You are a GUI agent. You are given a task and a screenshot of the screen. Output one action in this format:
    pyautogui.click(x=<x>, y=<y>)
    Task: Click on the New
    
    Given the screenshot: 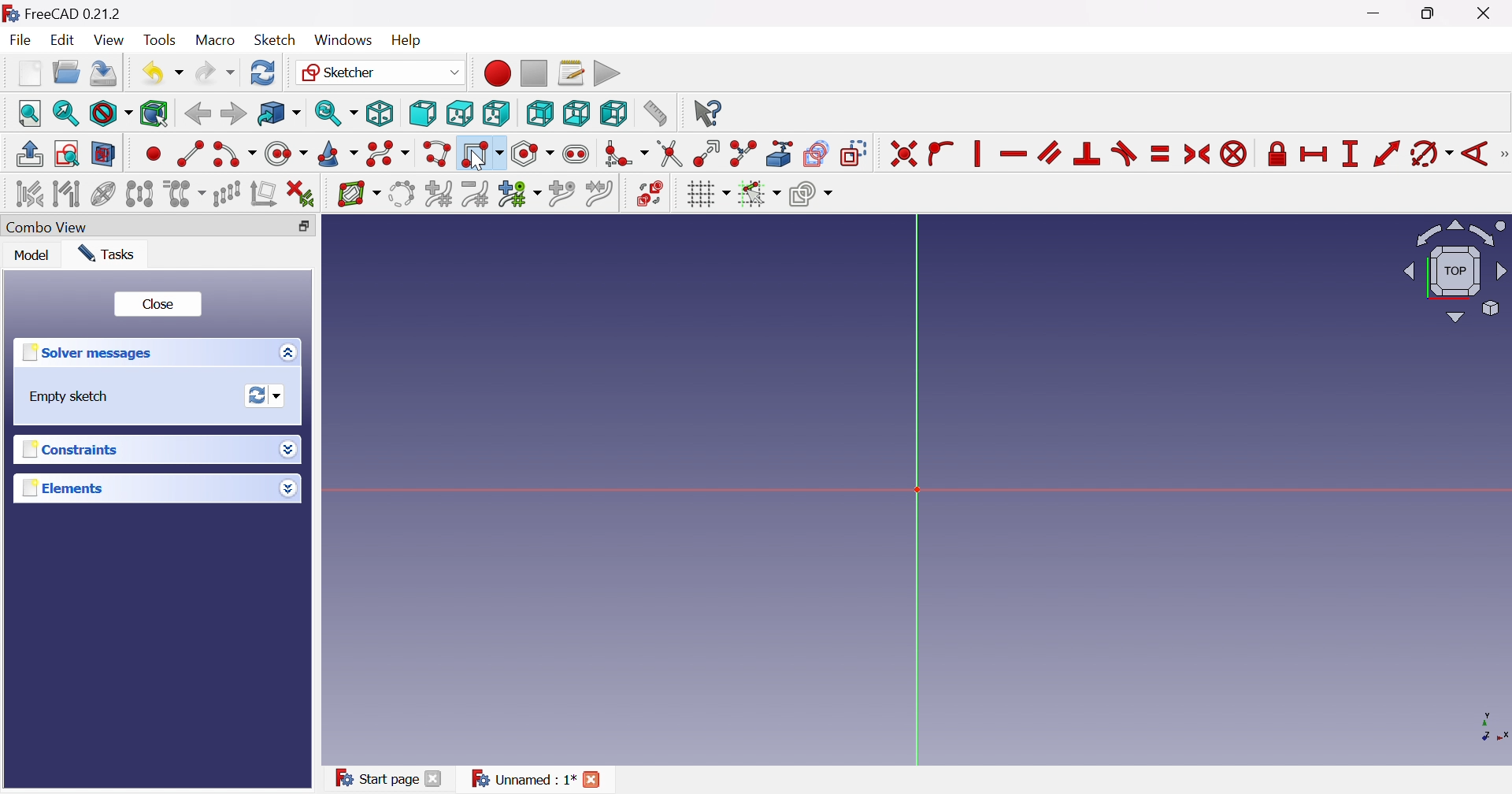 What is the action you would take?
    pyautogui.click(x=30, y=72)
    